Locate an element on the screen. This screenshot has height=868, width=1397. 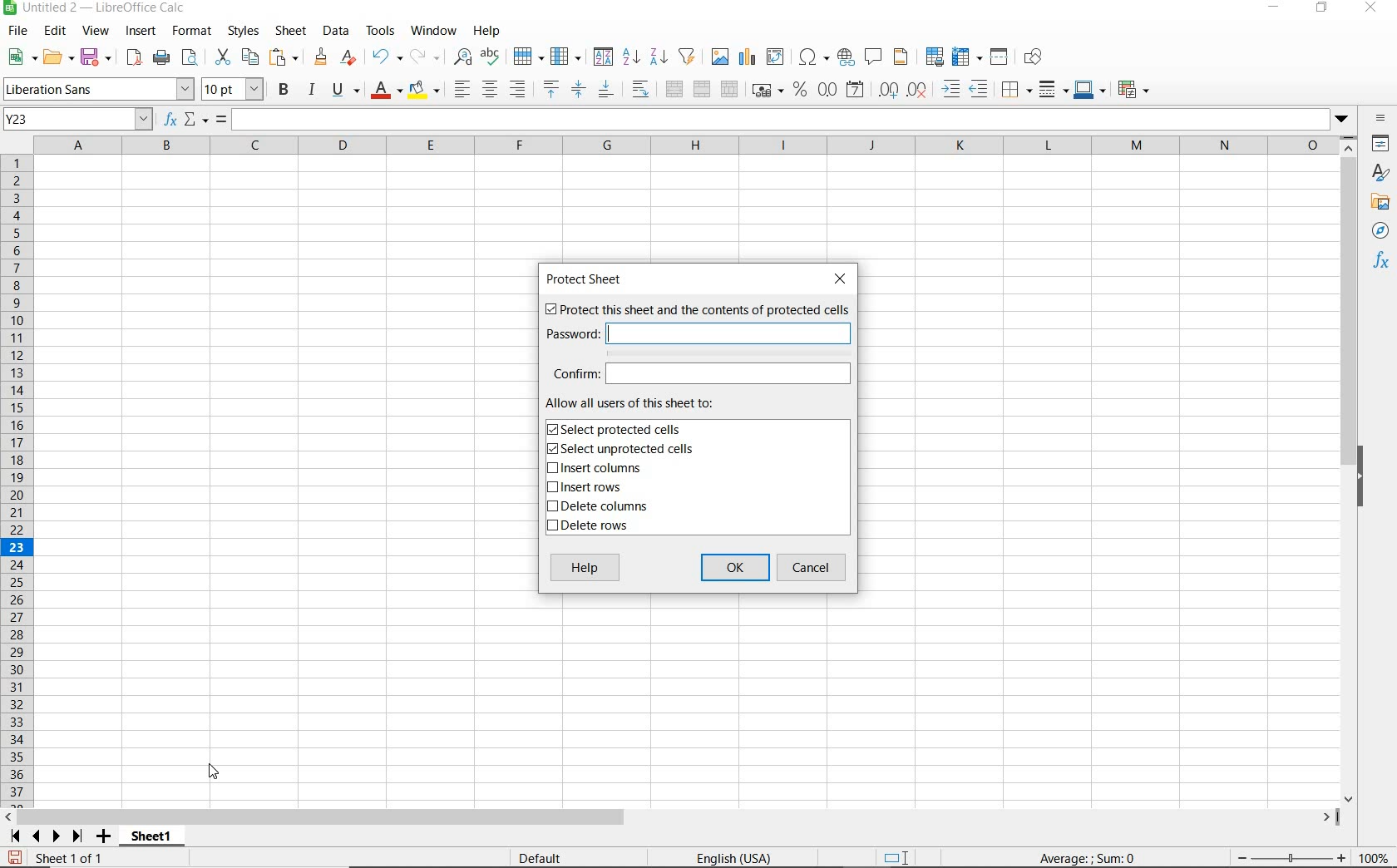
COLUMNS is located at coordinates (689, 145).